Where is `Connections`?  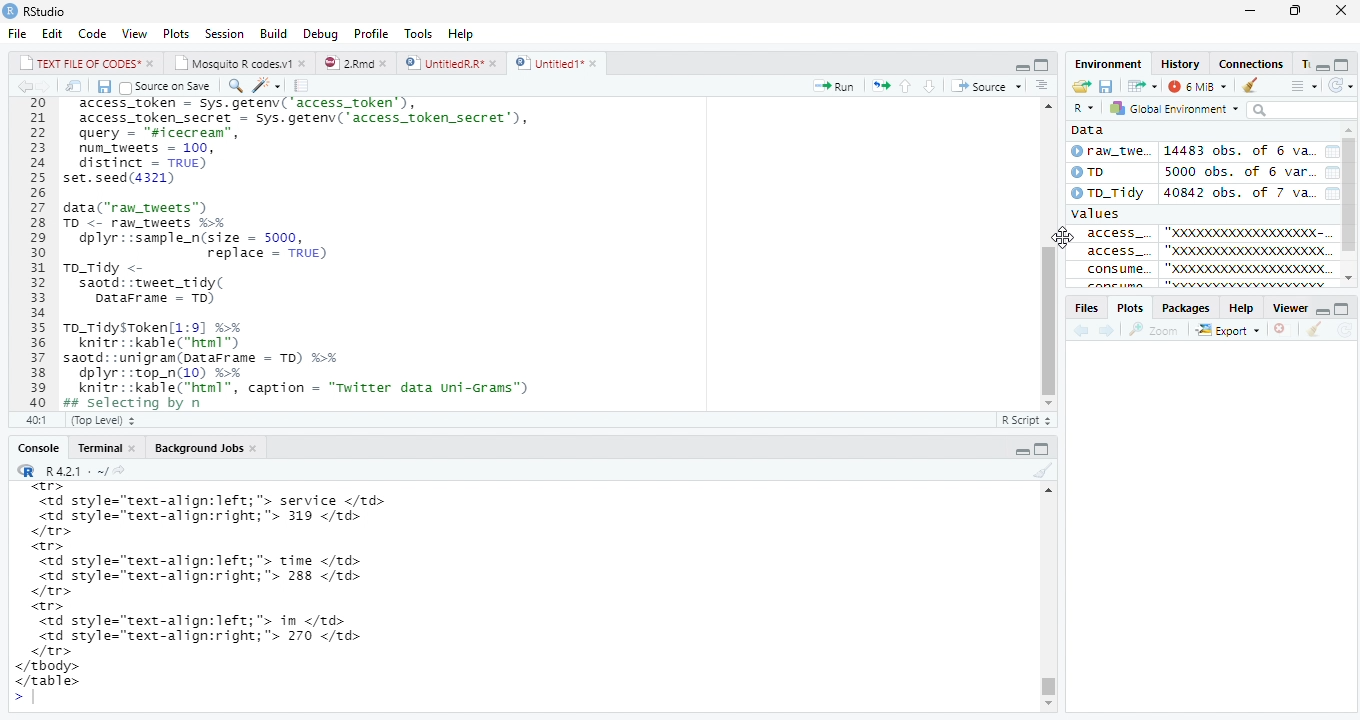 Connections is located at coordinates (1263, 63).